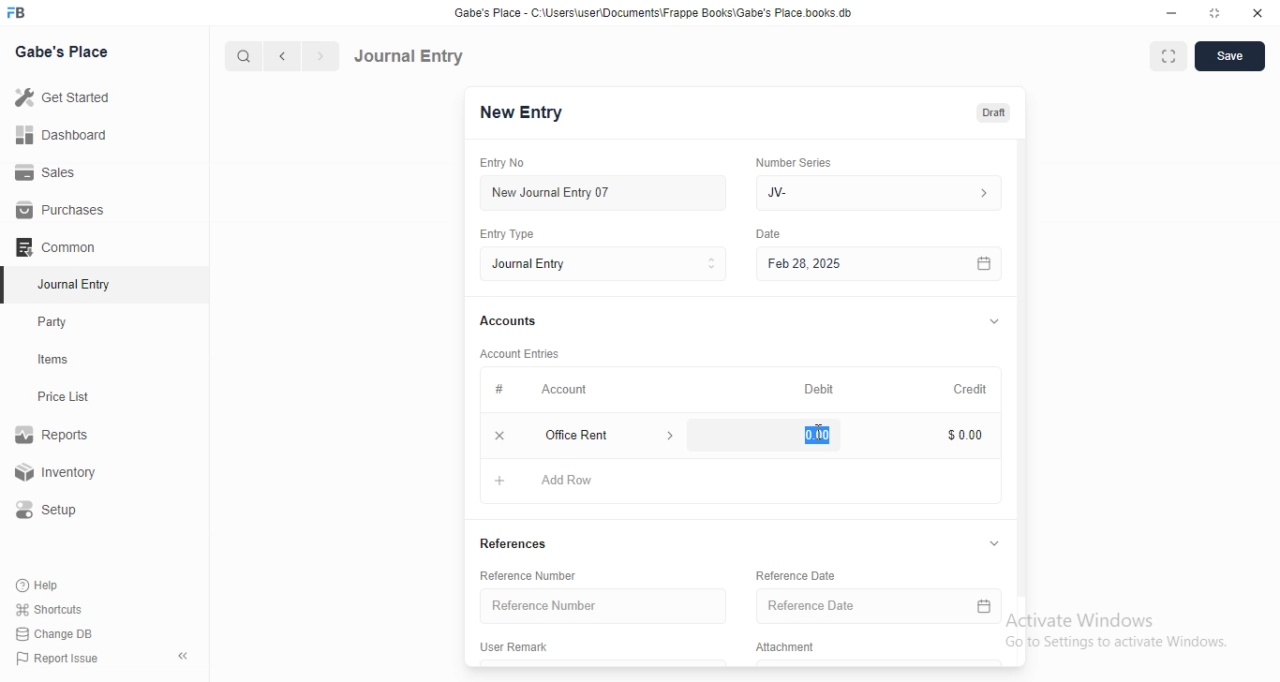 Image resolution: width=1280 pixels, height=682 pixels. I want to click on Attachment, so click(785, 648).